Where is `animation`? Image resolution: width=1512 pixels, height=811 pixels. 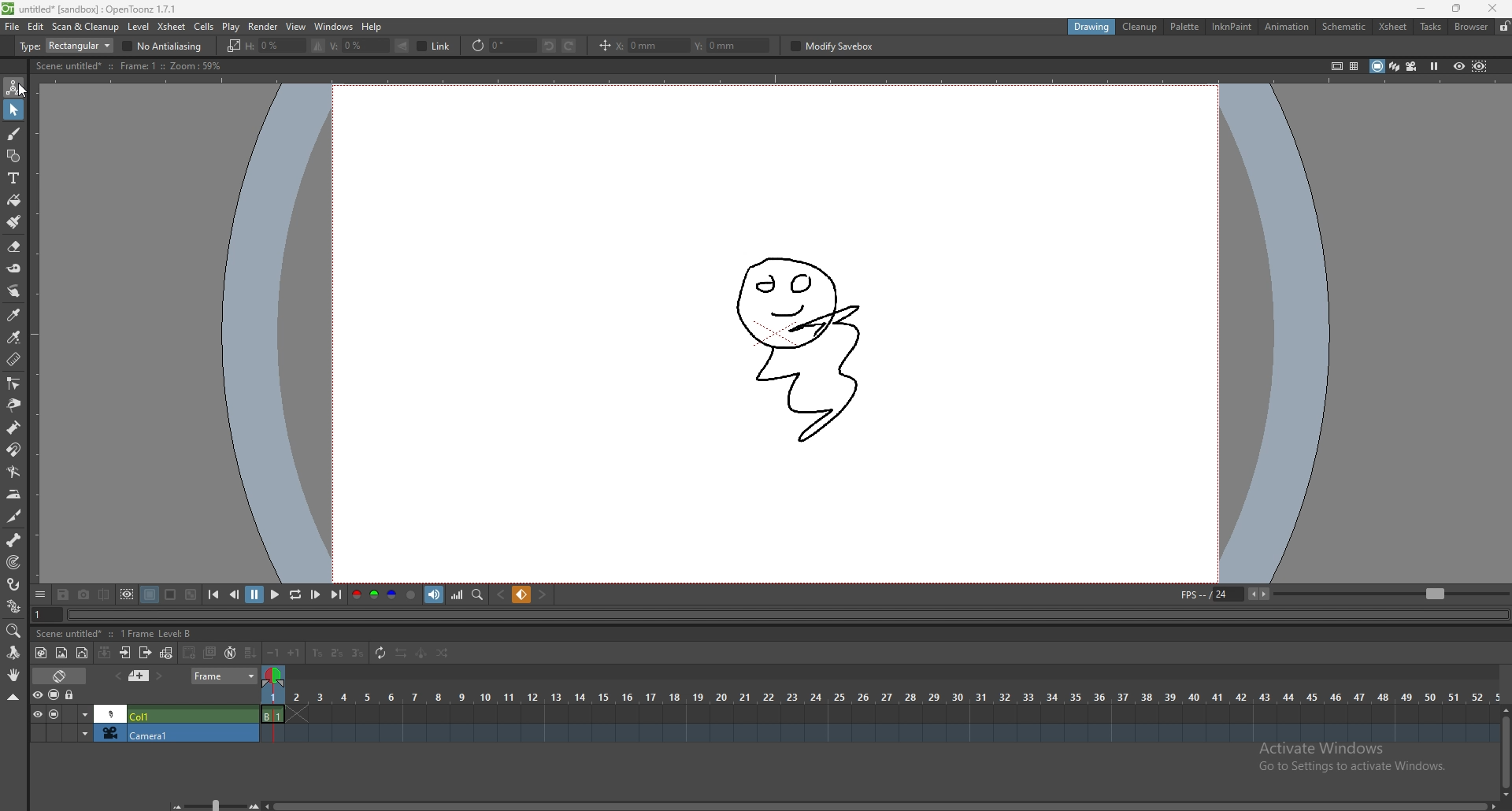 animation is located at coordinates (1286, 26).